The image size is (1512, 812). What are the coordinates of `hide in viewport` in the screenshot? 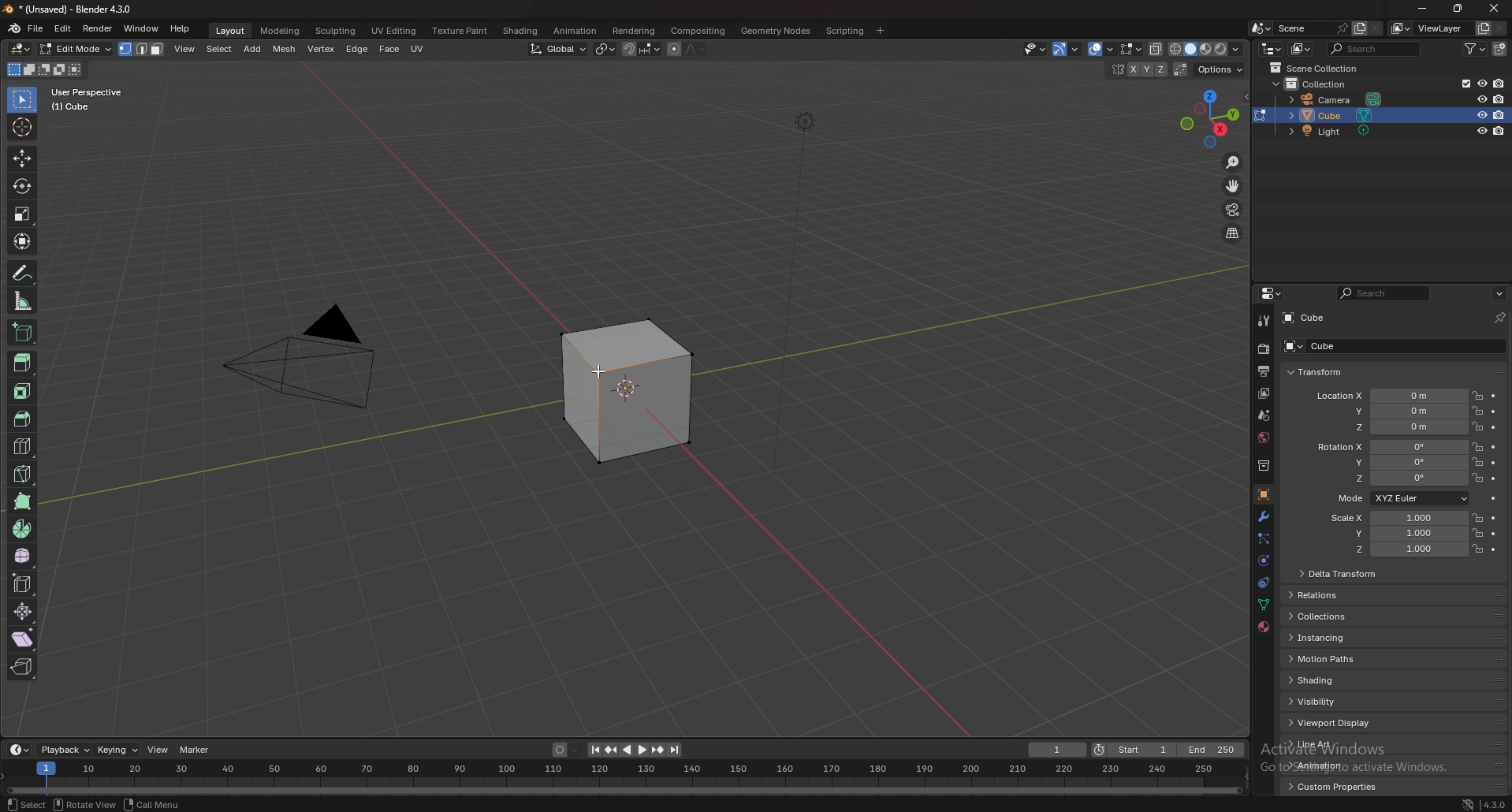 It's located at (1481, 83).